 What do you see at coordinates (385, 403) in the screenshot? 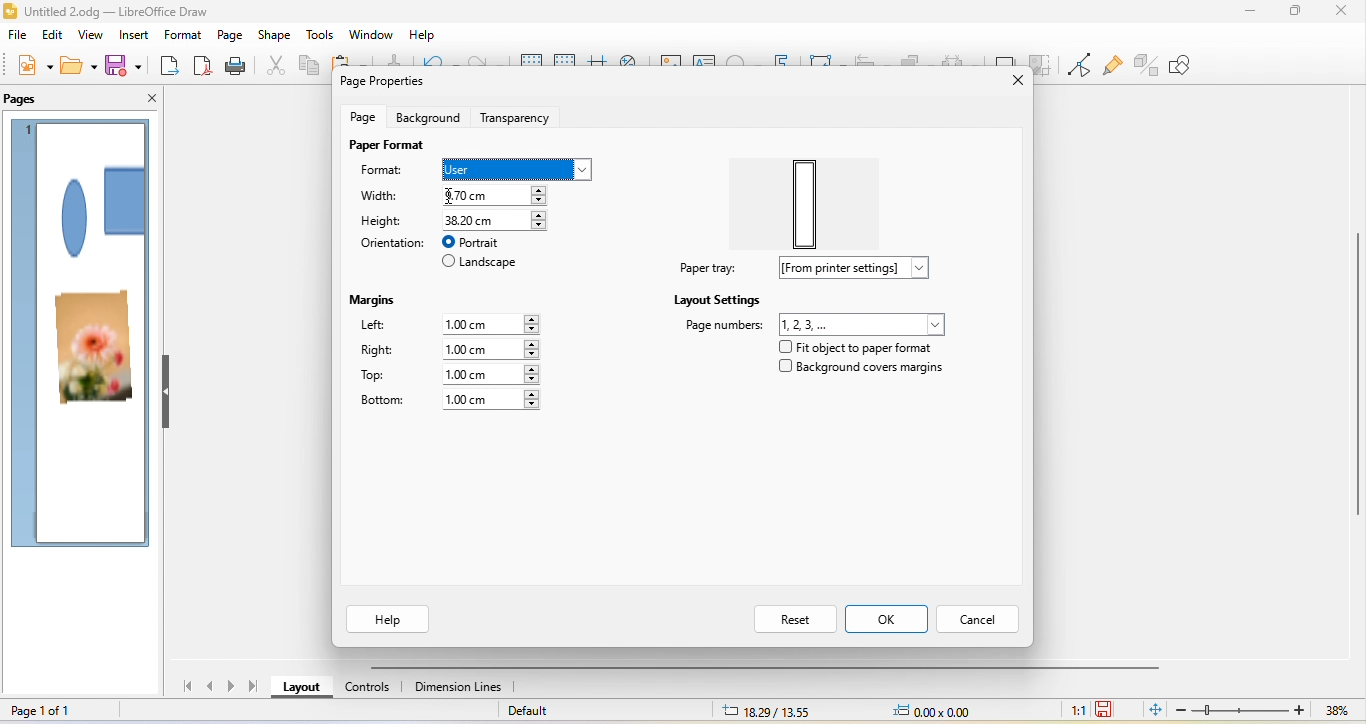
I see `bottom` at bounding box center [385, 403].